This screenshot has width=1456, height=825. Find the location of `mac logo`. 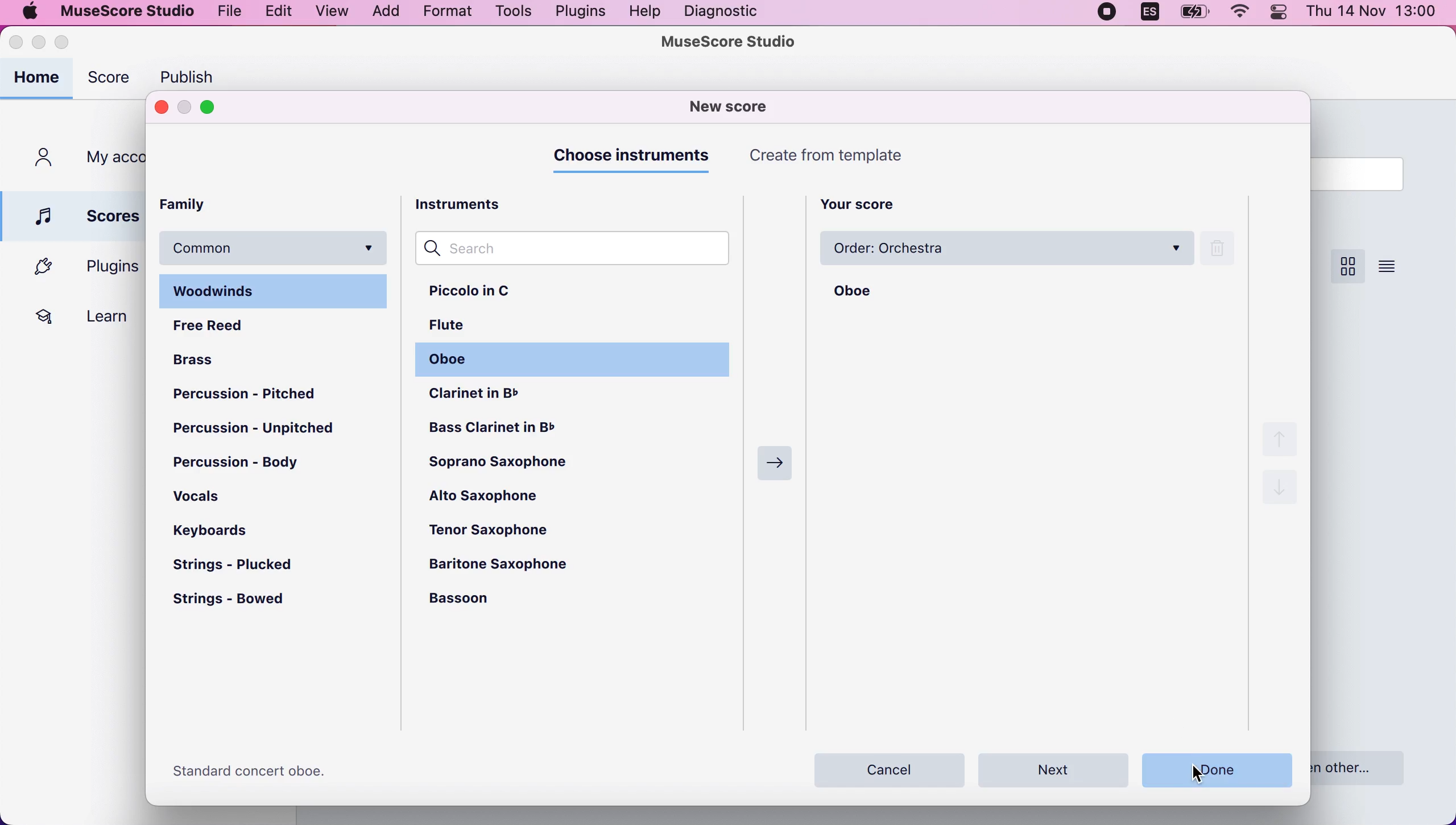

mac logo is located at coordinates (28, 11).